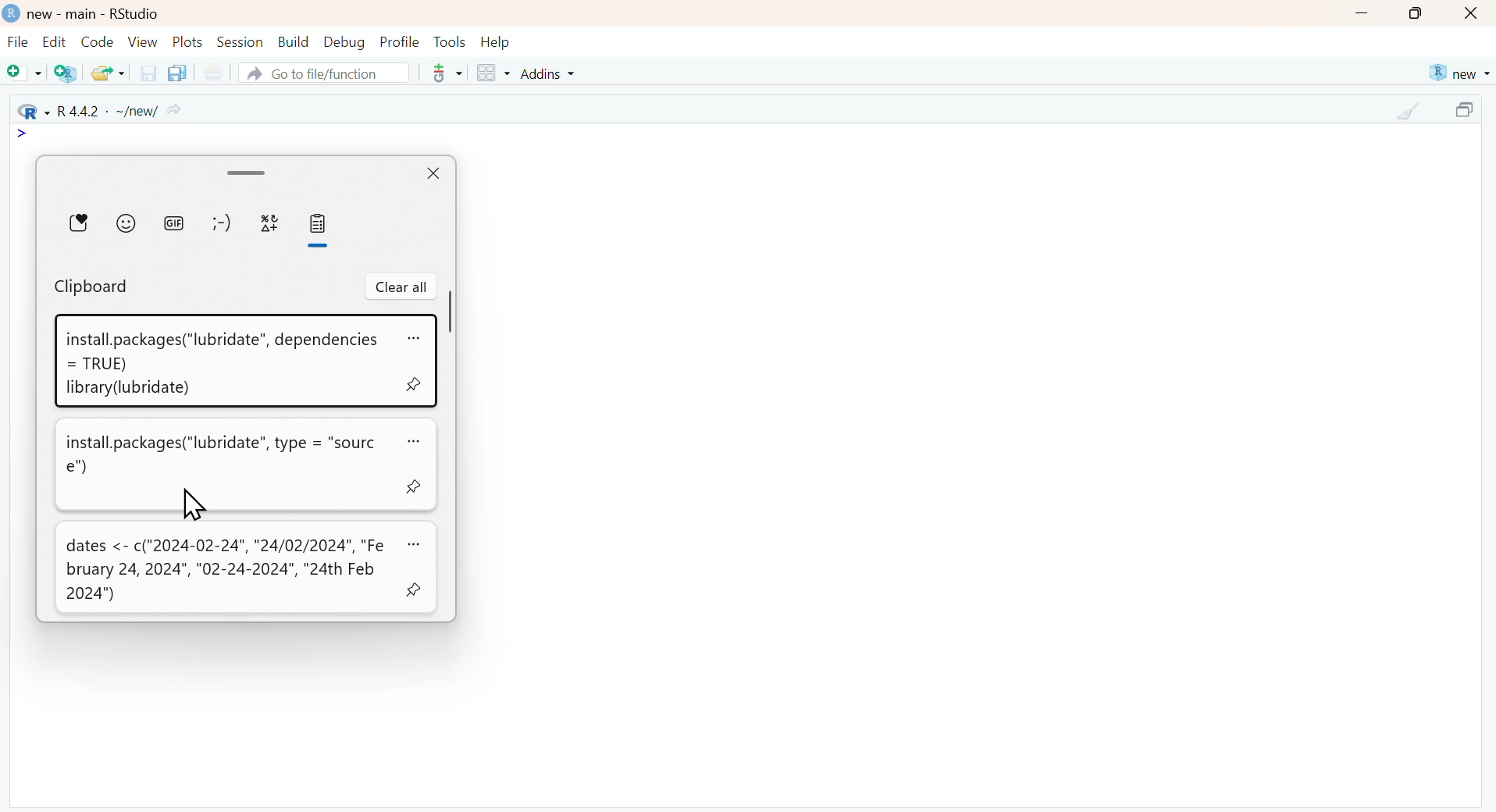 The width and height of the screenshot is (1496, 812). What do you see at coordinates (450, 41) in the screenshot?
I see `Tools` at bounding box center [450, 41].